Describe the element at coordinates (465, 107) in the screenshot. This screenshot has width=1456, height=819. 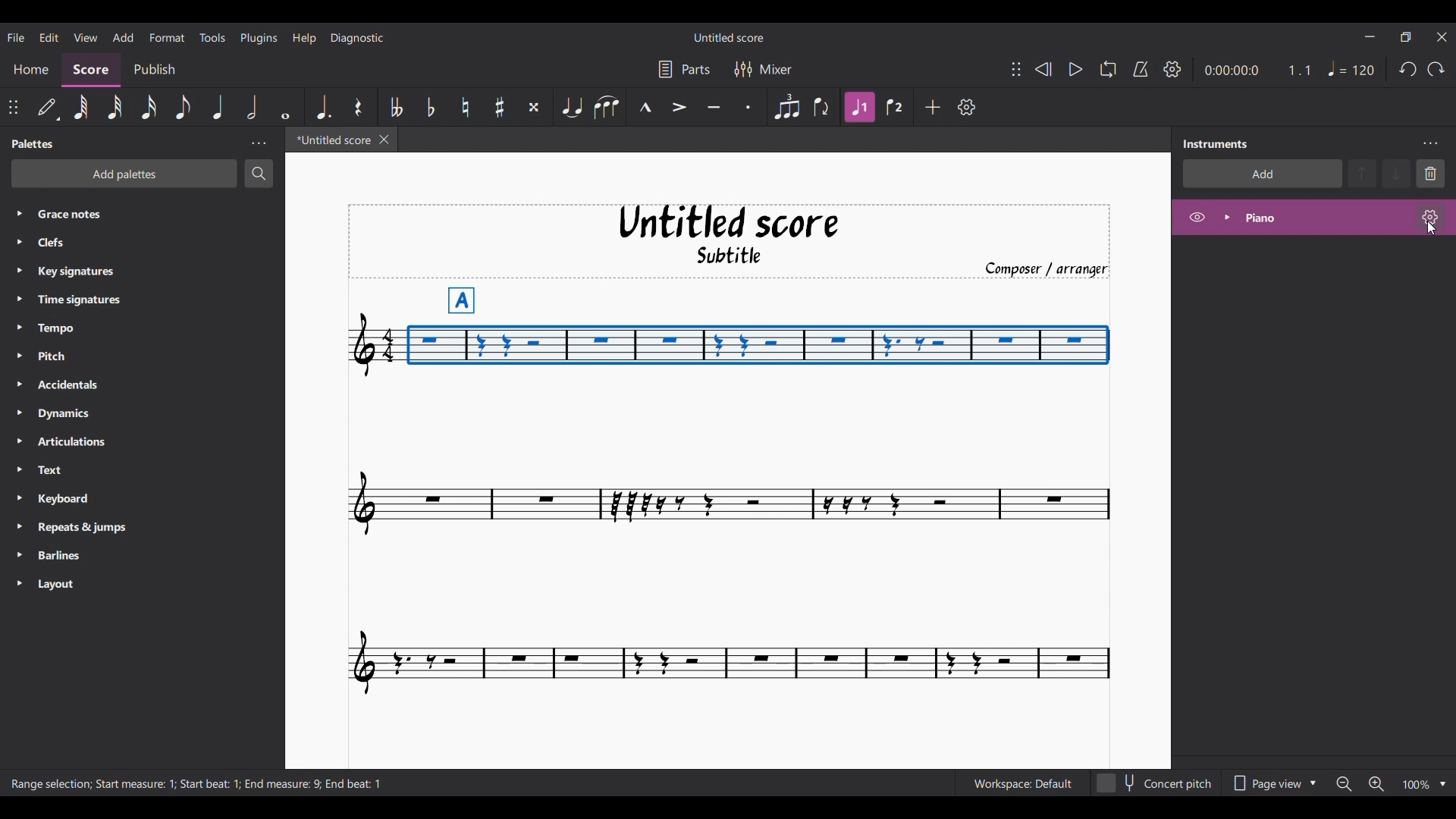
I see `Toggle natural` at that location.